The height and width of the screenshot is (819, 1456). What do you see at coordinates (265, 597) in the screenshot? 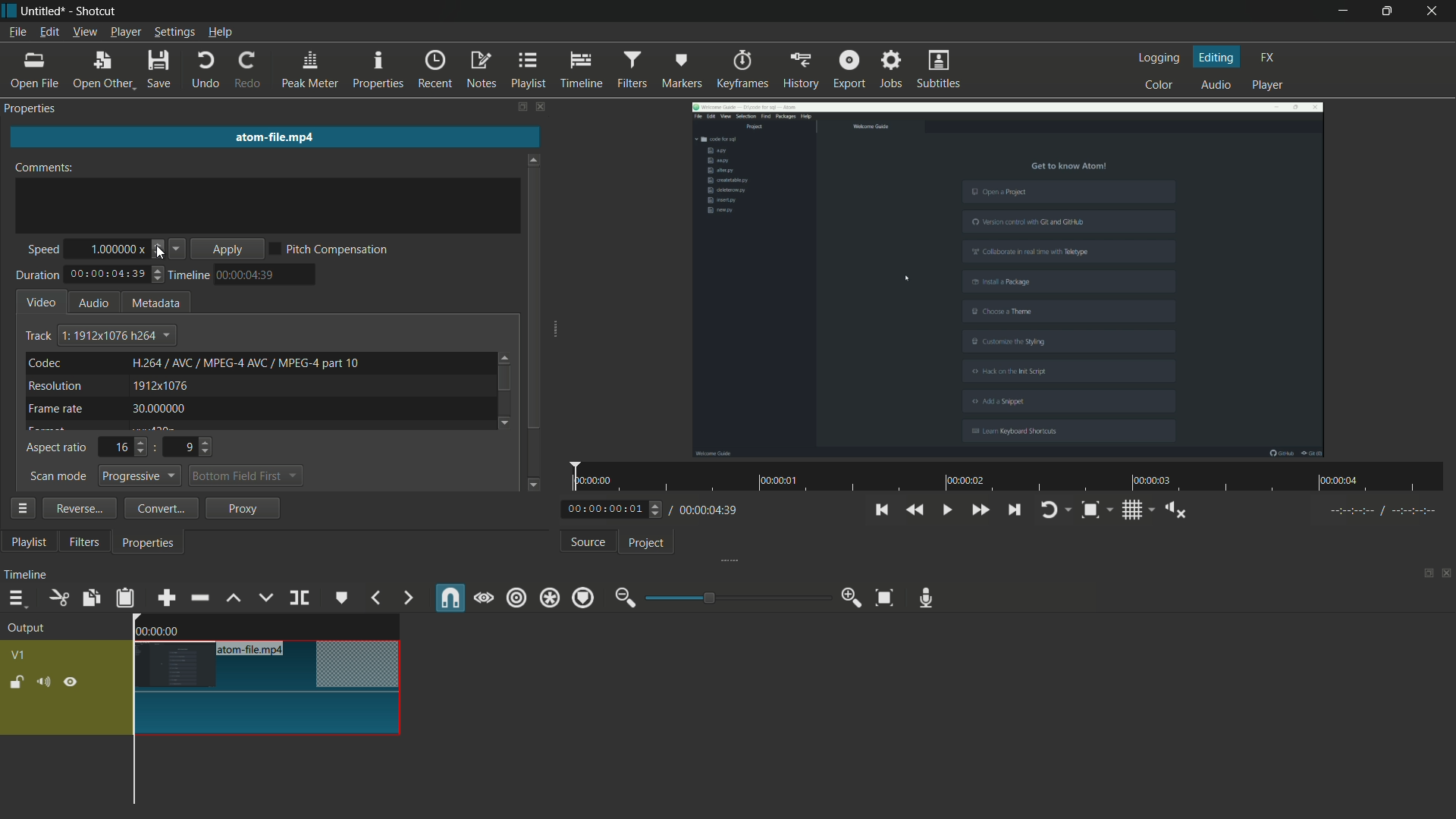
I see `overwrite` at bounding box center [265, 597].